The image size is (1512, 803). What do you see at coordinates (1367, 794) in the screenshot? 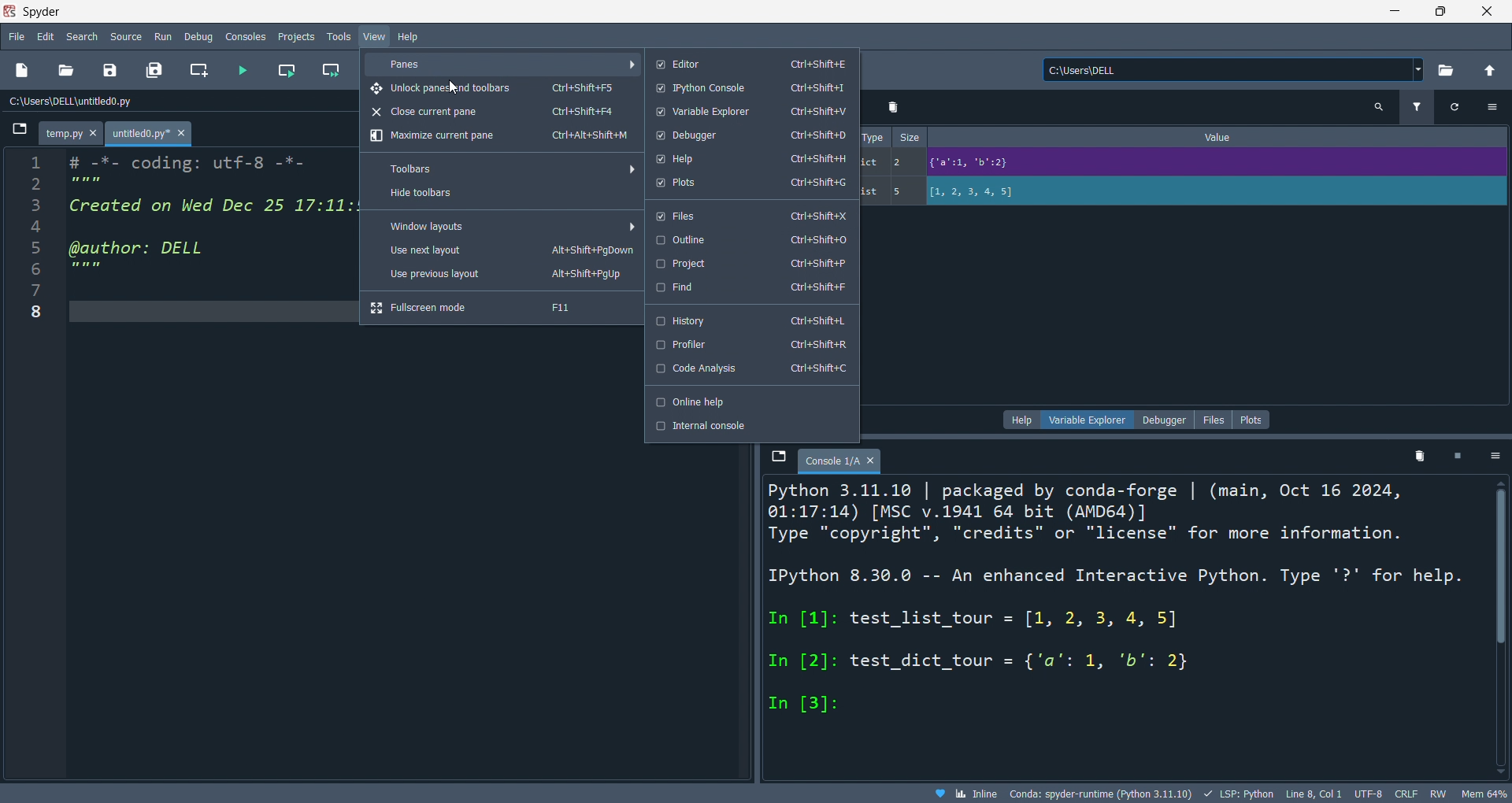
I see `file encoding` at bounding box center [1367, 794].